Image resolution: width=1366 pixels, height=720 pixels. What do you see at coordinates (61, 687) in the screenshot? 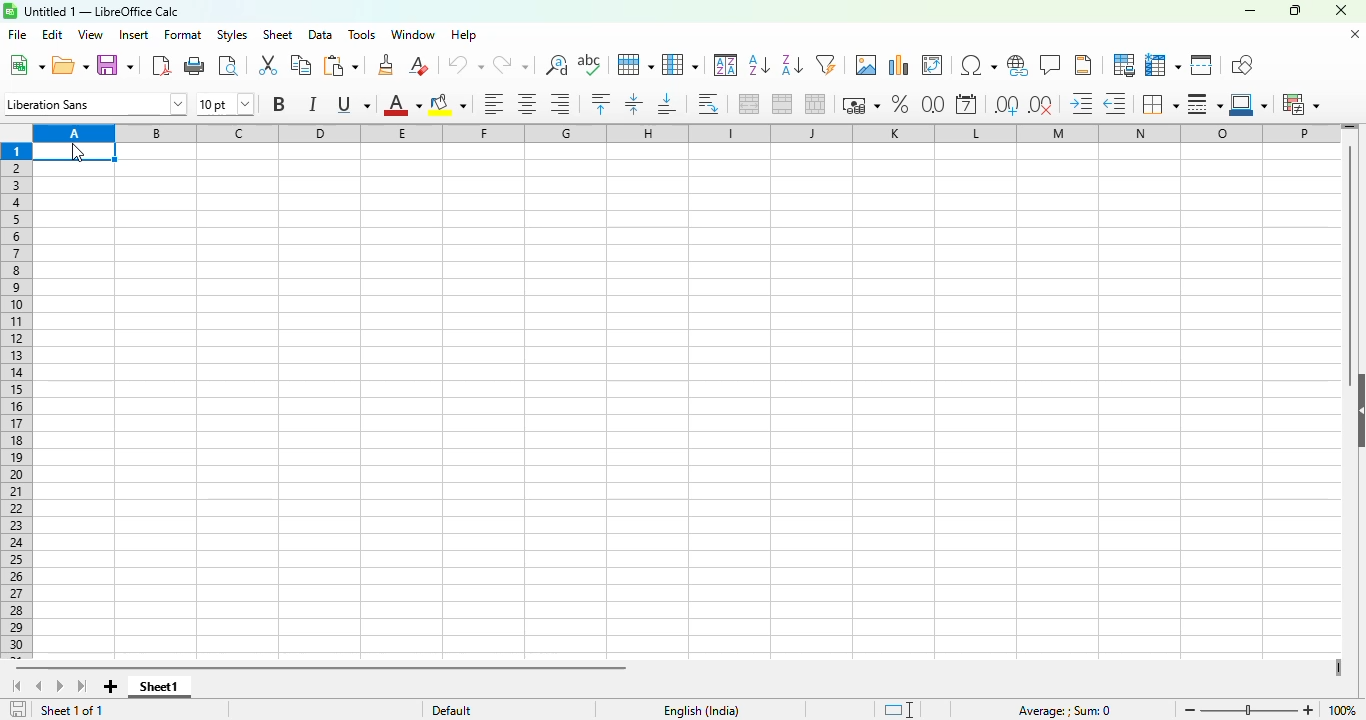
I see `scroll to next page` at bounding box center [61, 687].